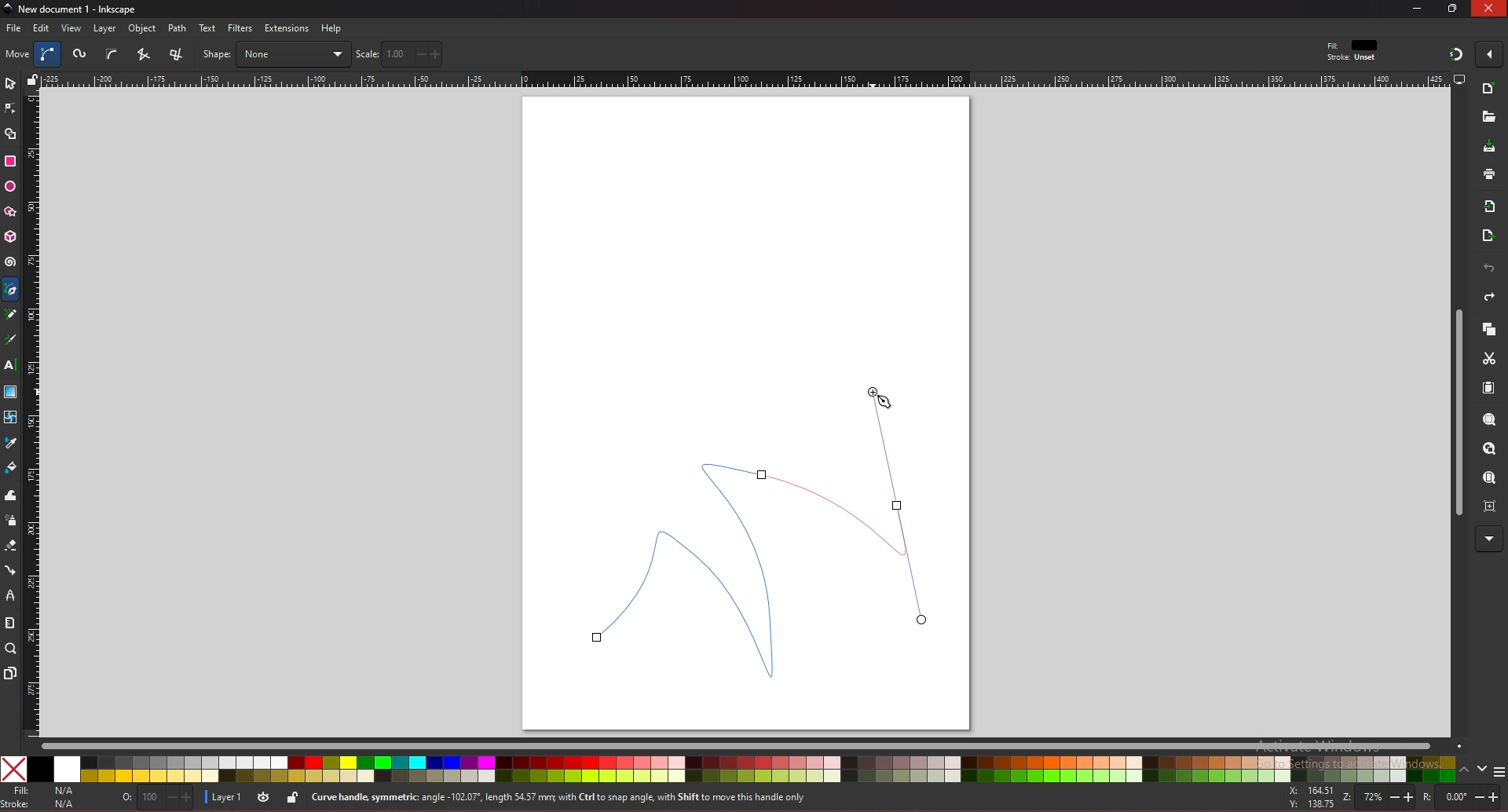 The width and height of the screenshot is (1508, 812). What do you see at coordinates (332, 28) in the screenshot?
I see `help` at bounding box center [332, 28].